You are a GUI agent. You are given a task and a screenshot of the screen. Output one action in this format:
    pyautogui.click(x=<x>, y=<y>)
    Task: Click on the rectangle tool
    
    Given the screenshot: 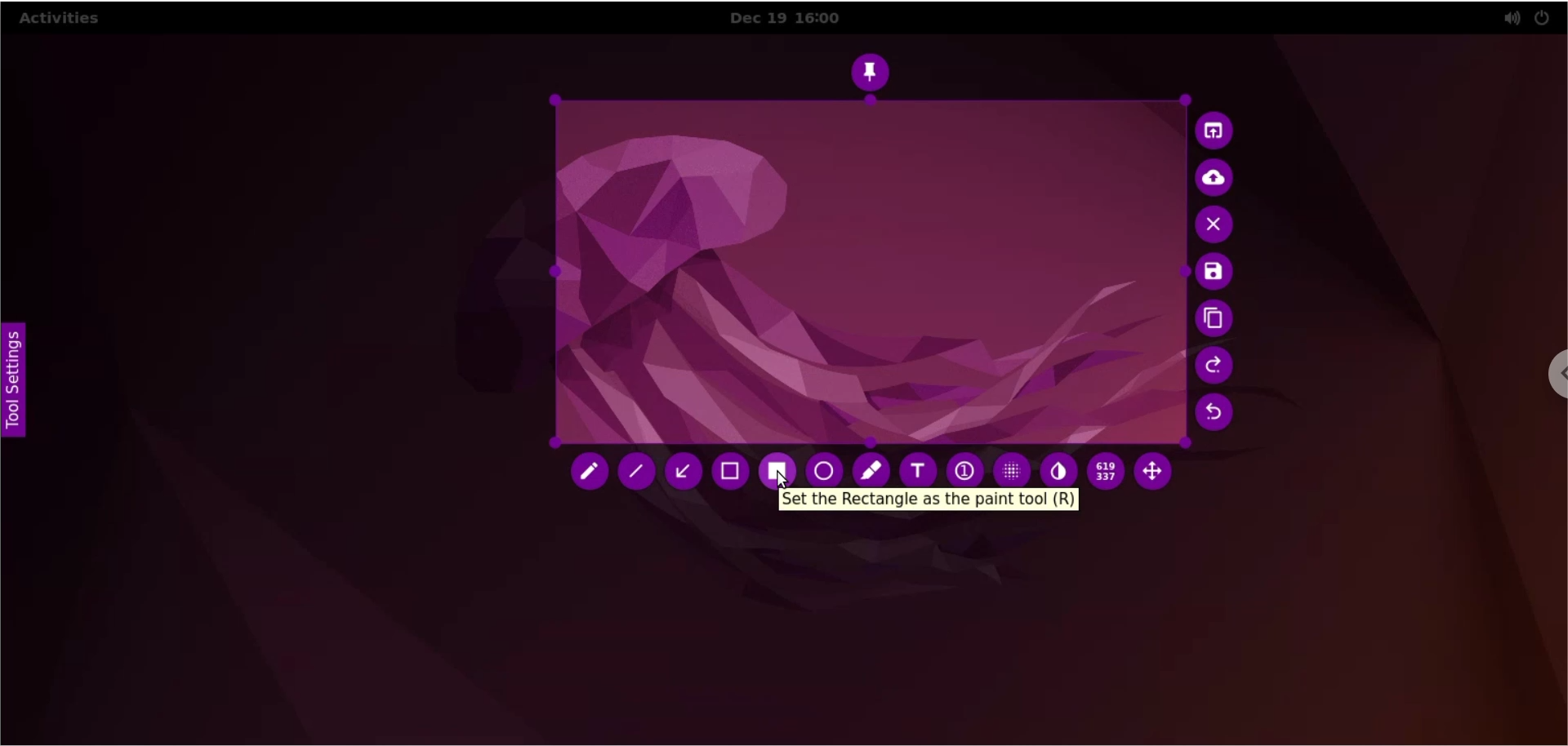 What is the action you would take?
    pyautogui.click(x=778, y=466)
    